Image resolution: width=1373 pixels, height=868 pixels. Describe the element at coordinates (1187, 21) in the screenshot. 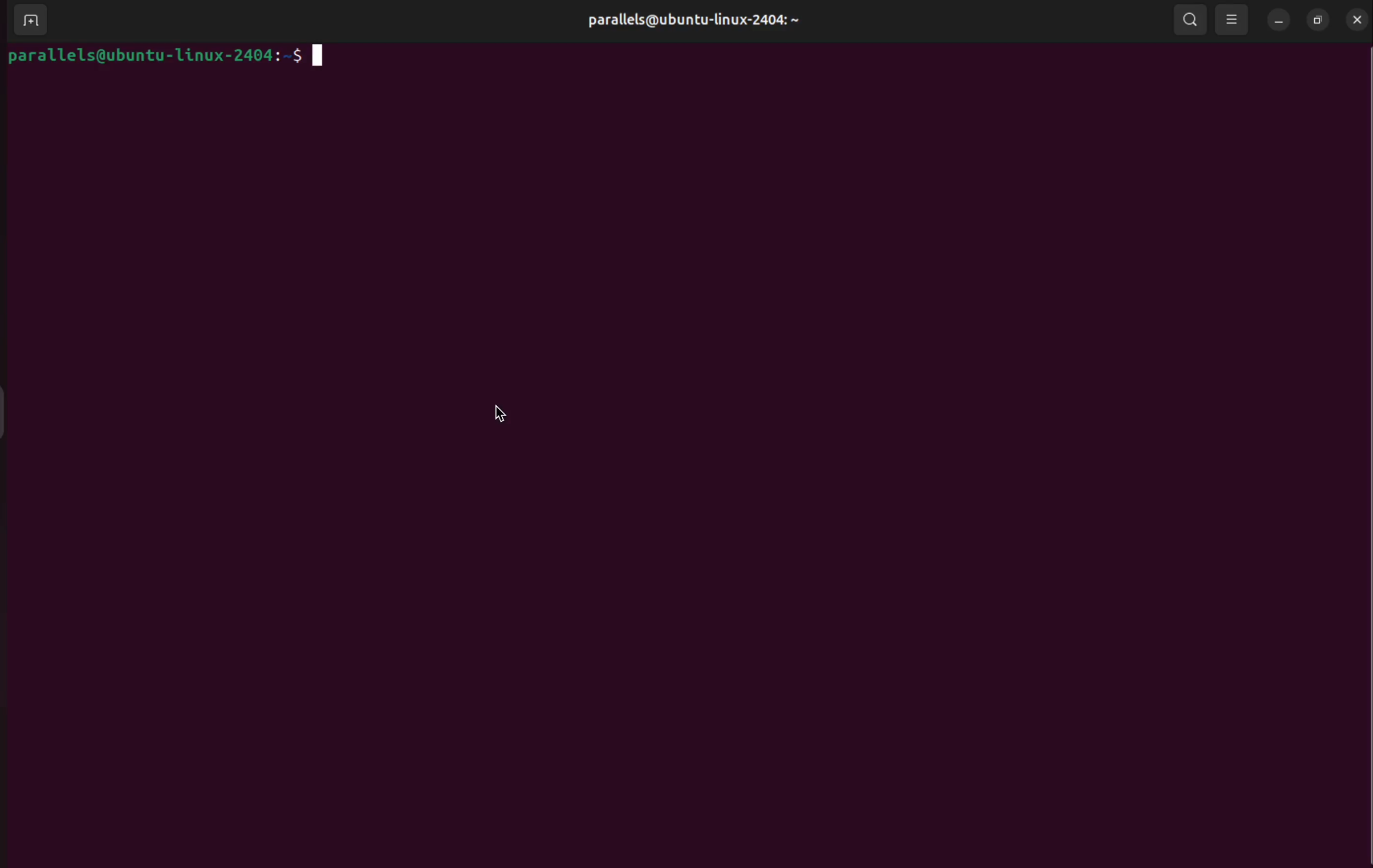

I see `search` at that location.